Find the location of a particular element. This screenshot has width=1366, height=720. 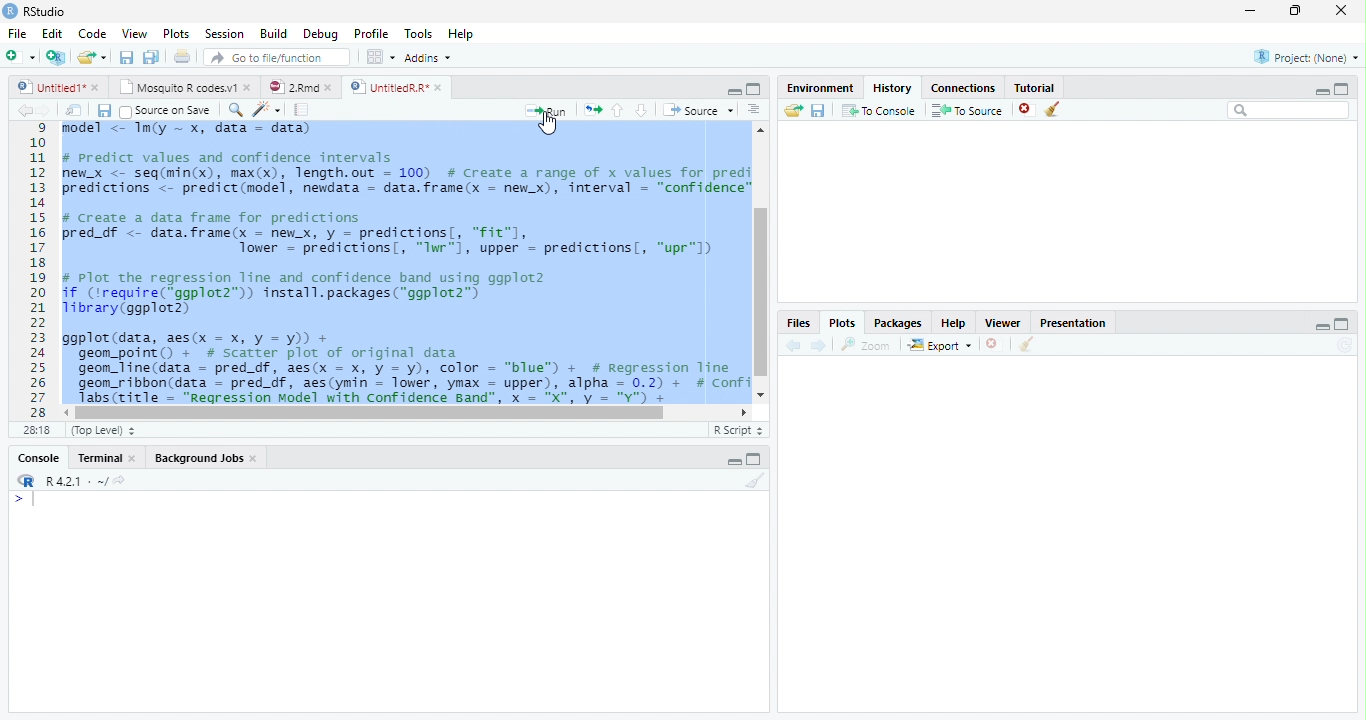

Maximize is located at coordinates (755, 459).